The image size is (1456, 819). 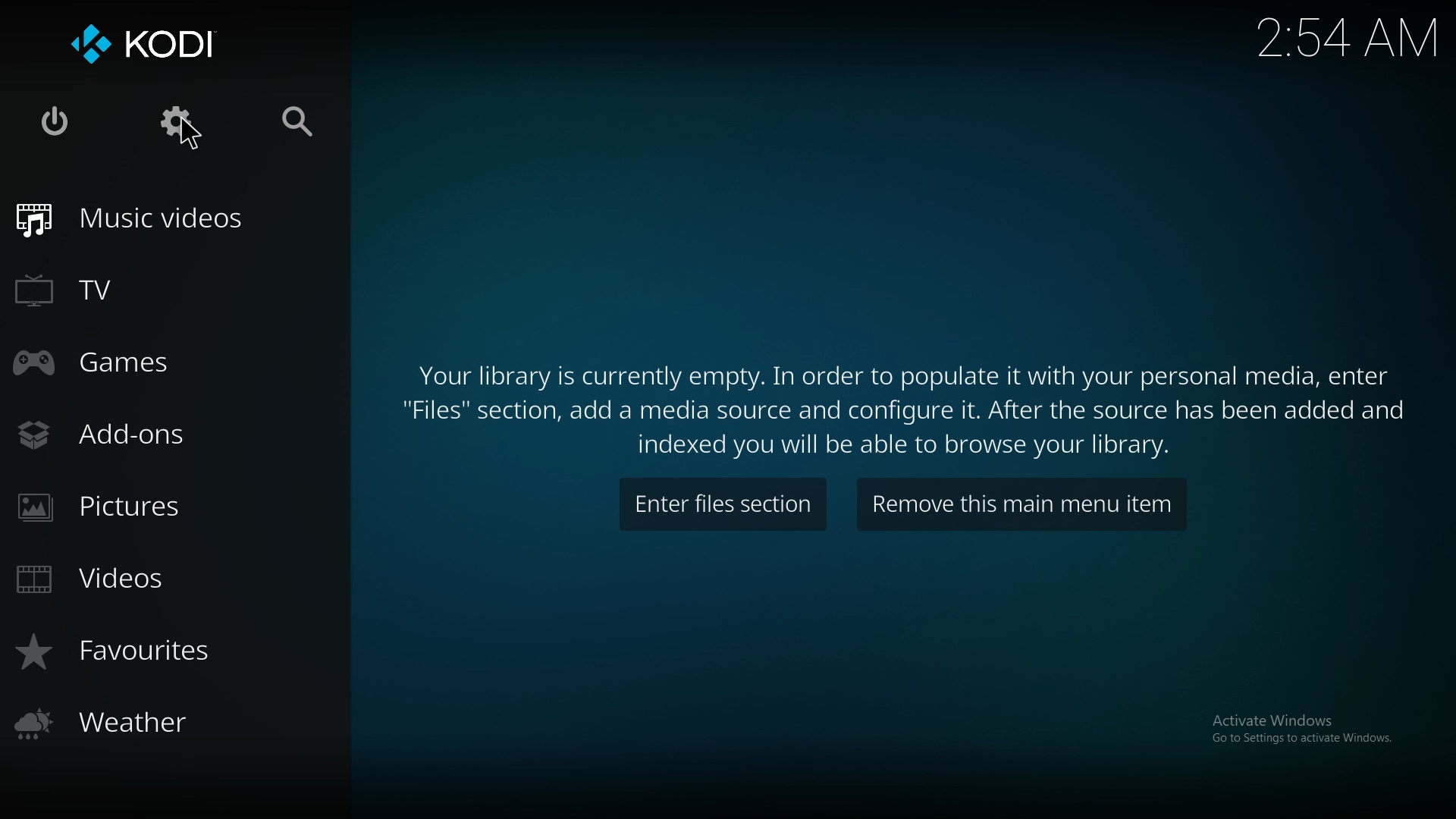 What do you see at coordinates (148, 44) in the screenshot?
I see `kodi` at bounding box center [148, 44].